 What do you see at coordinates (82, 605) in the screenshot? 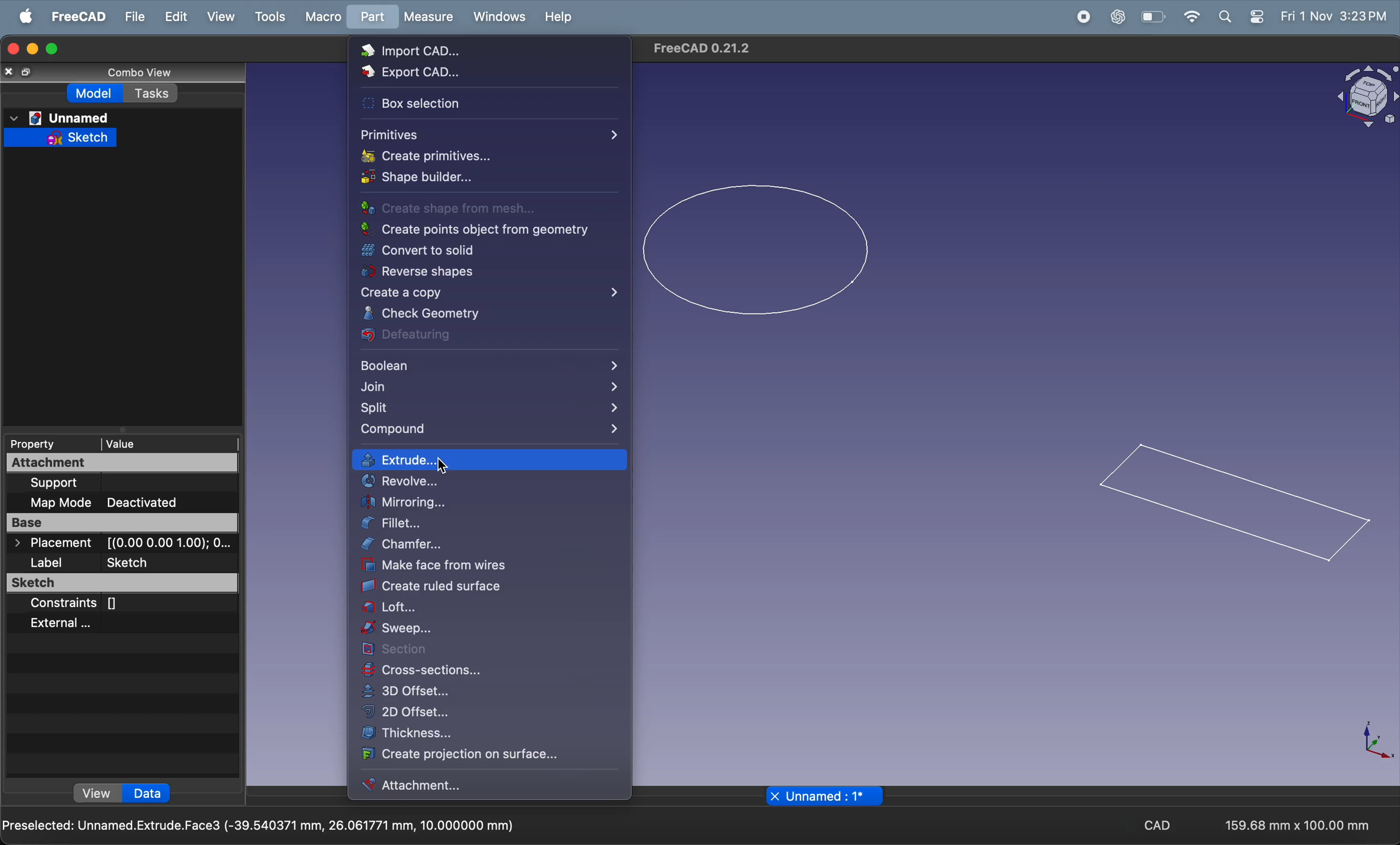
I see `Constraints []` at bounding box center [82, 605].